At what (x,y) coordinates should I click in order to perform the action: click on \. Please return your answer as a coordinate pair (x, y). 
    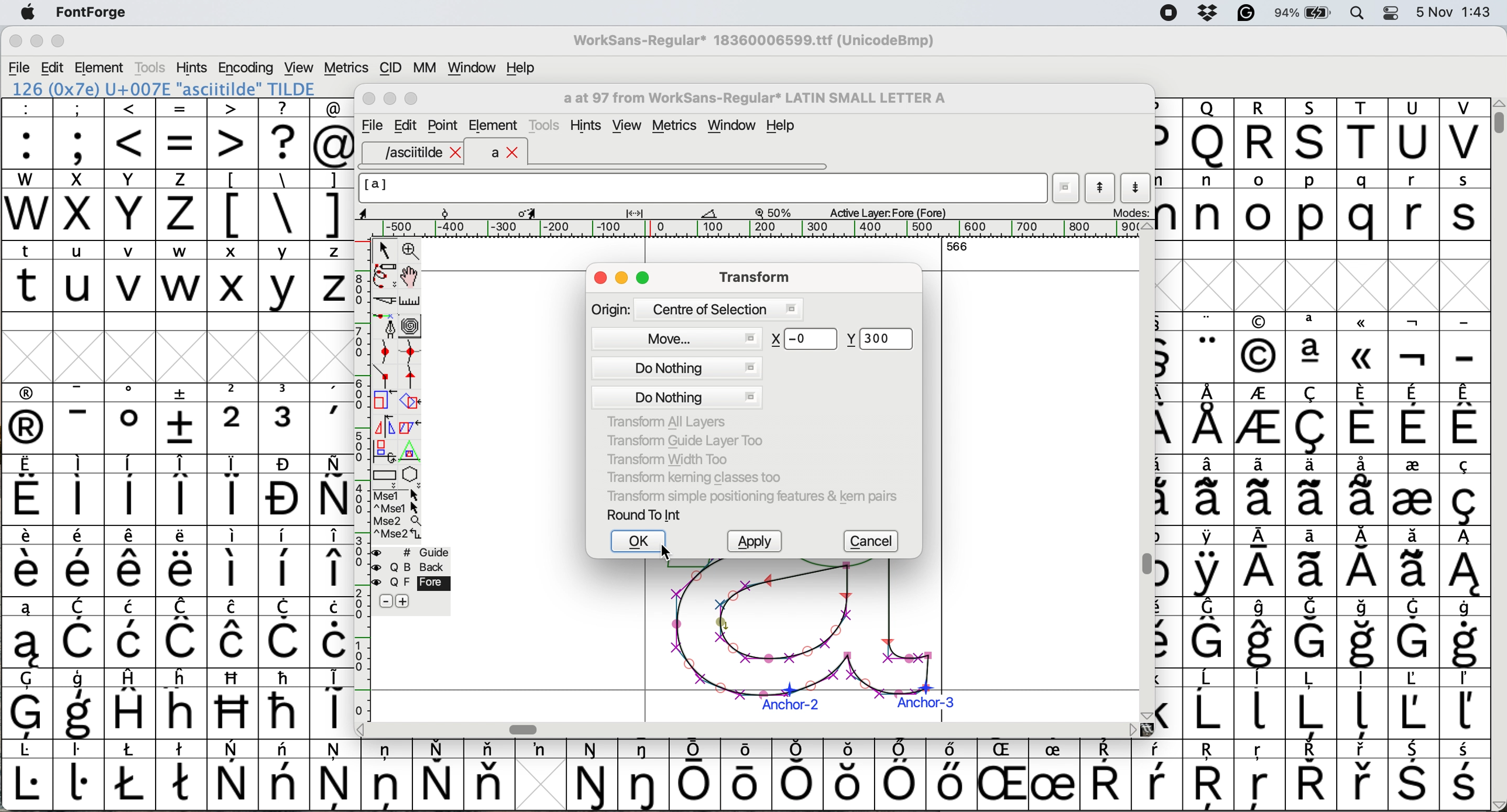
    Looking at the image, I should click on (283, 205).